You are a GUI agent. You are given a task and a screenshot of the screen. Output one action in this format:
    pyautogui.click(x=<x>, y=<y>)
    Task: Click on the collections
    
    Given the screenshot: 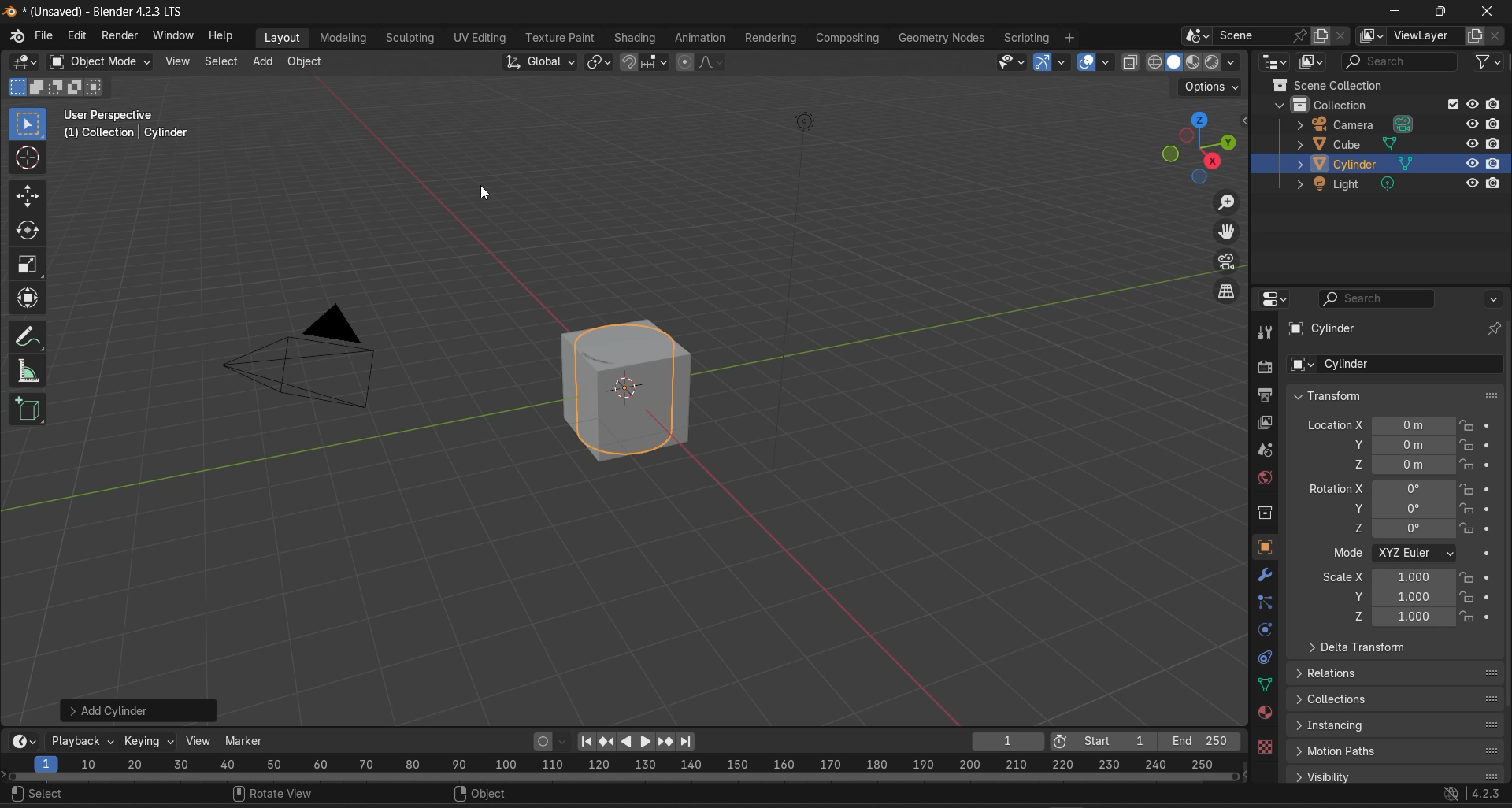 What is the action you would take?
    pyautogui.click(x=1397, y=697)
    